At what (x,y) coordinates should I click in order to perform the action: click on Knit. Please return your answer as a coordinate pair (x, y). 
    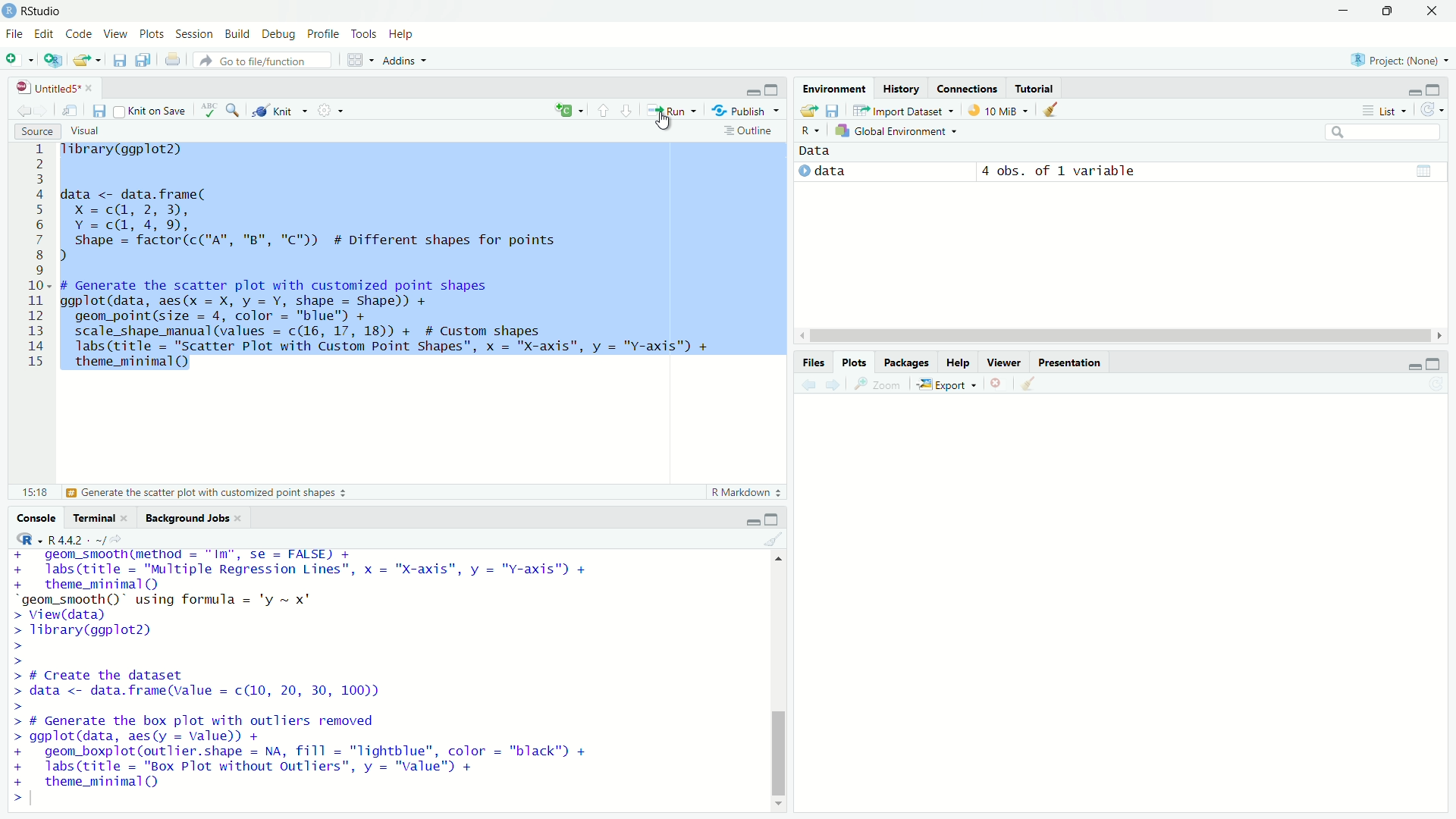
    Looking at the image, I should click on (279, 110).